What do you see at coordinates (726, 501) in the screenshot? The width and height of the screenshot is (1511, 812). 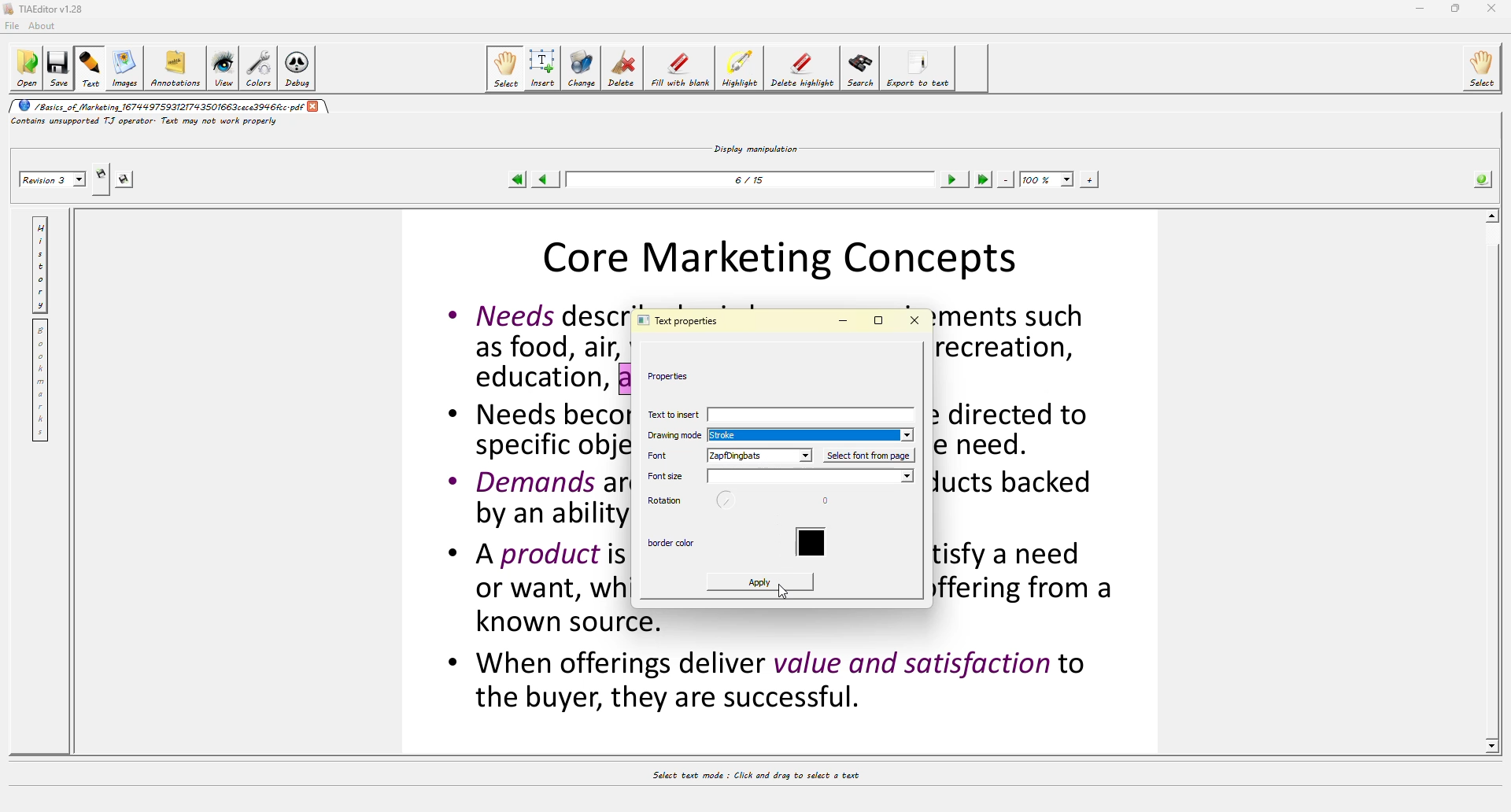 I see `rotate` at bounding box center [726, 501].